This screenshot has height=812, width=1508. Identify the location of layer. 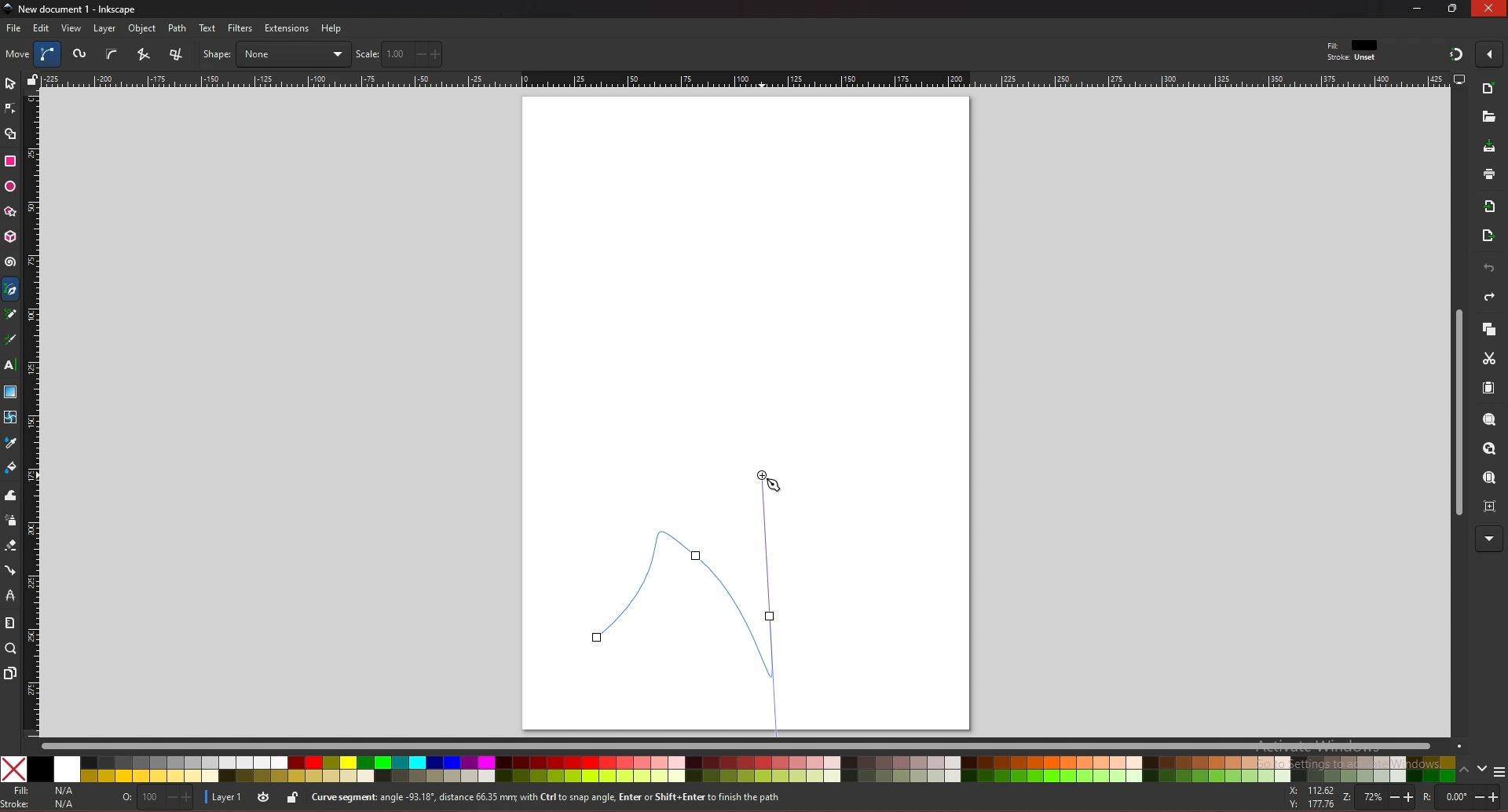
(222, 798).